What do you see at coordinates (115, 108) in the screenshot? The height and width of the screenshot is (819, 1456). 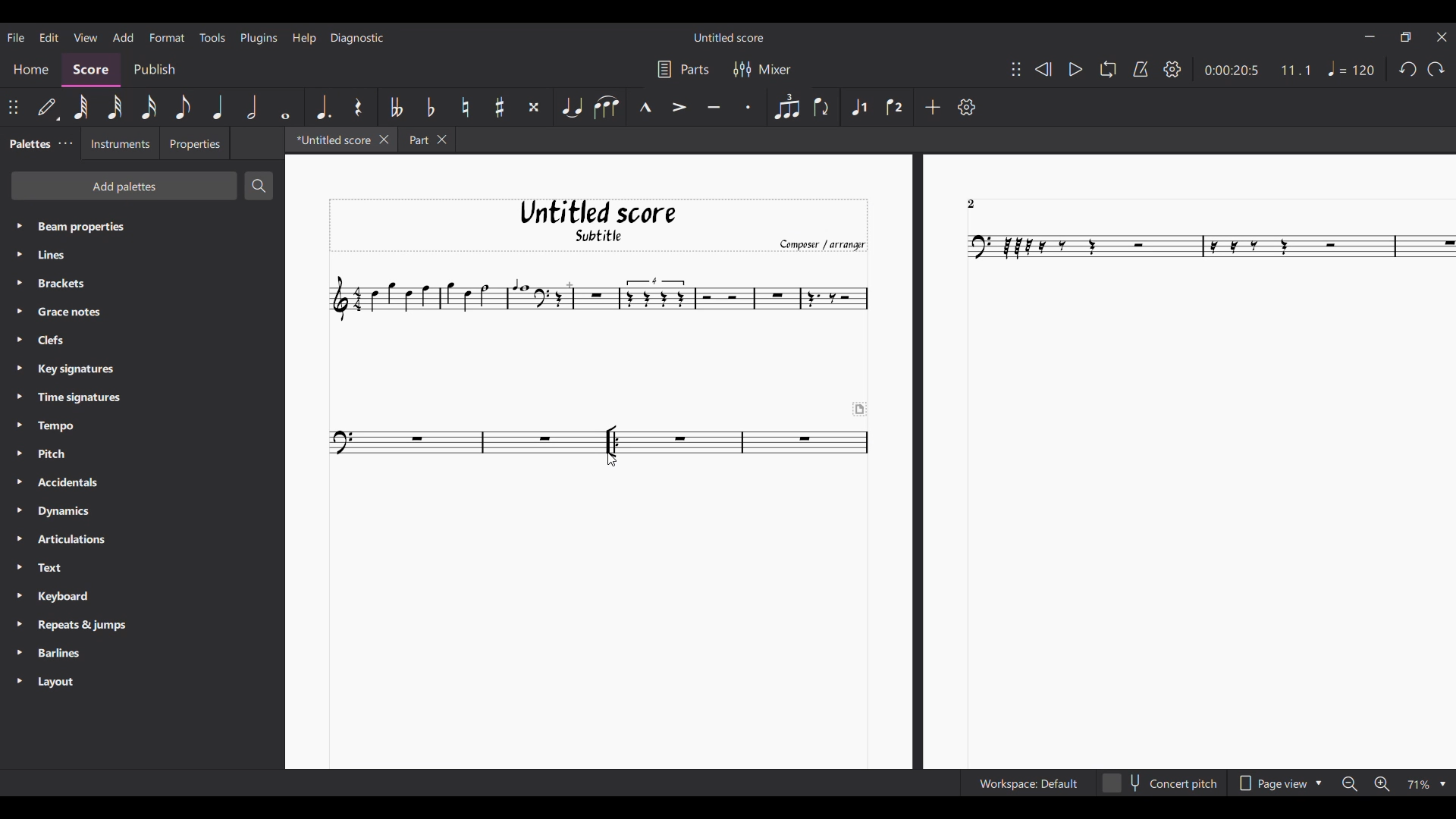 I see `32nd note` at bounding box center [115, 108].